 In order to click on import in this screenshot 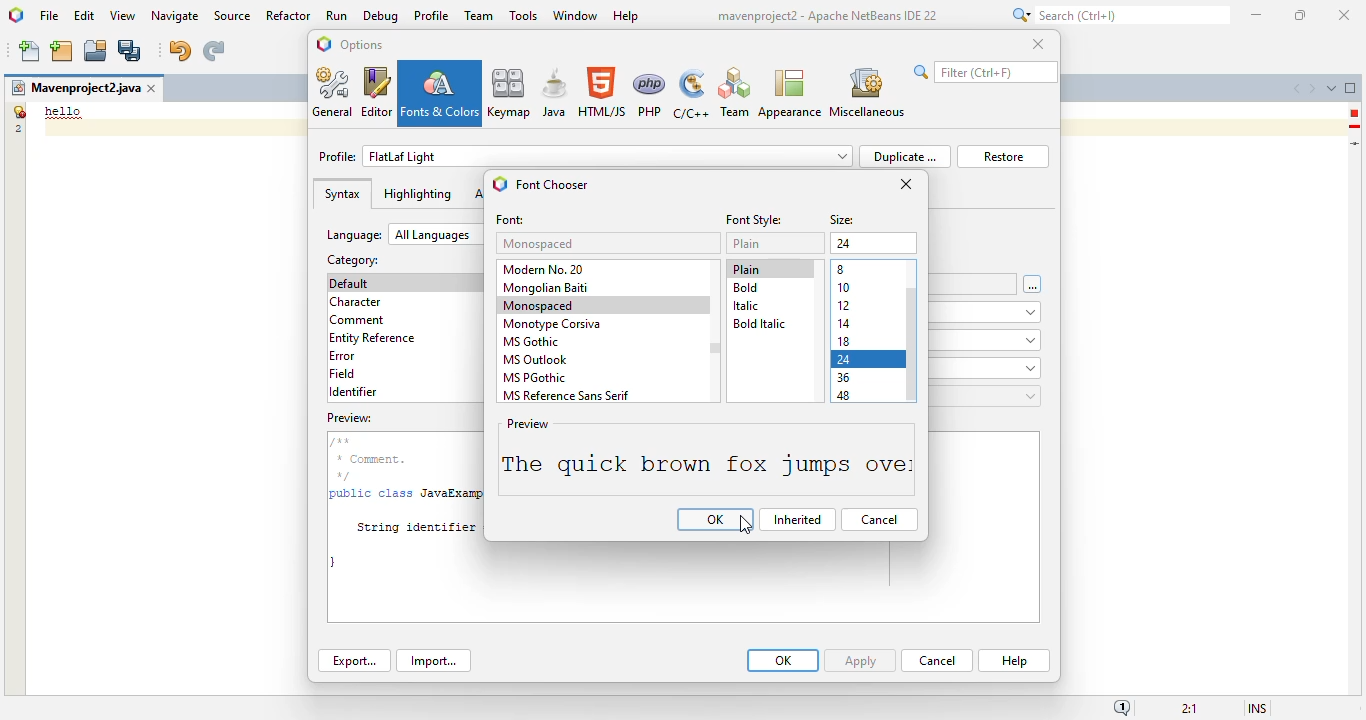, I will do `click(433, 661)`.